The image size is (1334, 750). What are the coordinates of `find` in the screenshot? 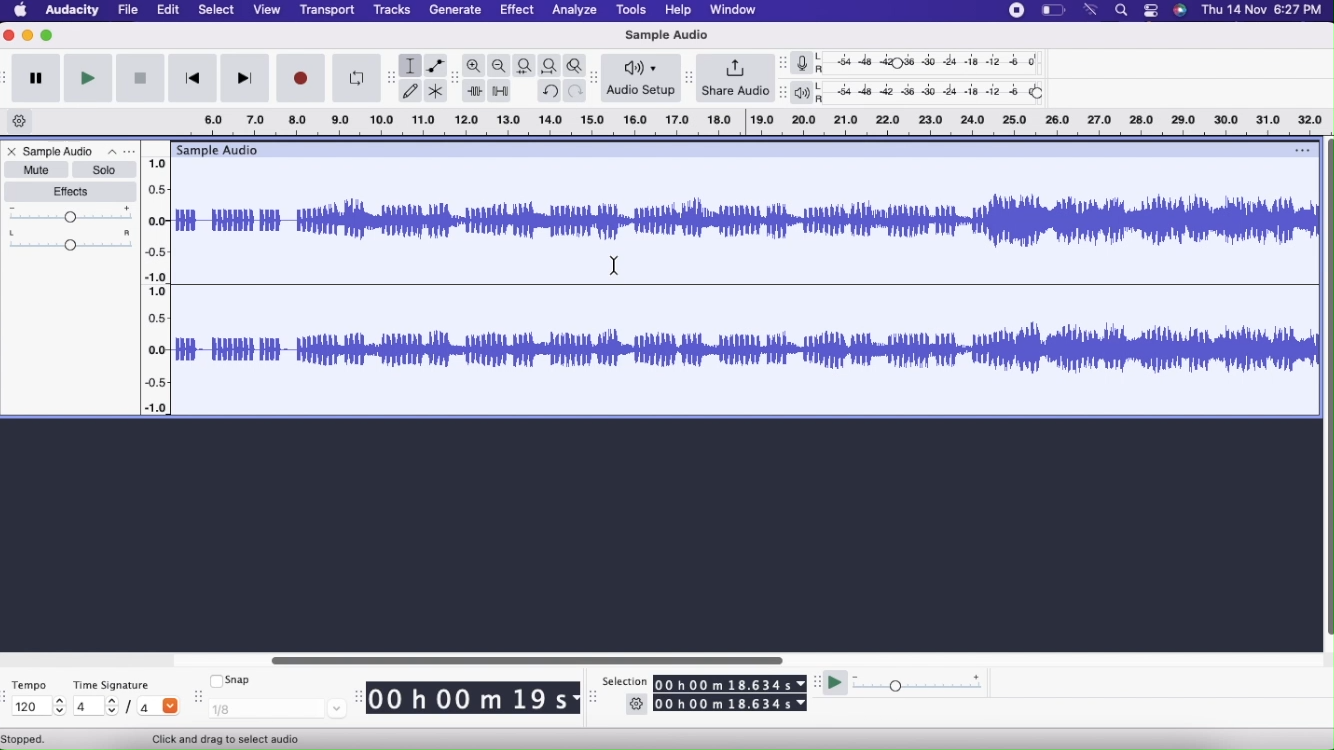 It's located at (1121, 13).